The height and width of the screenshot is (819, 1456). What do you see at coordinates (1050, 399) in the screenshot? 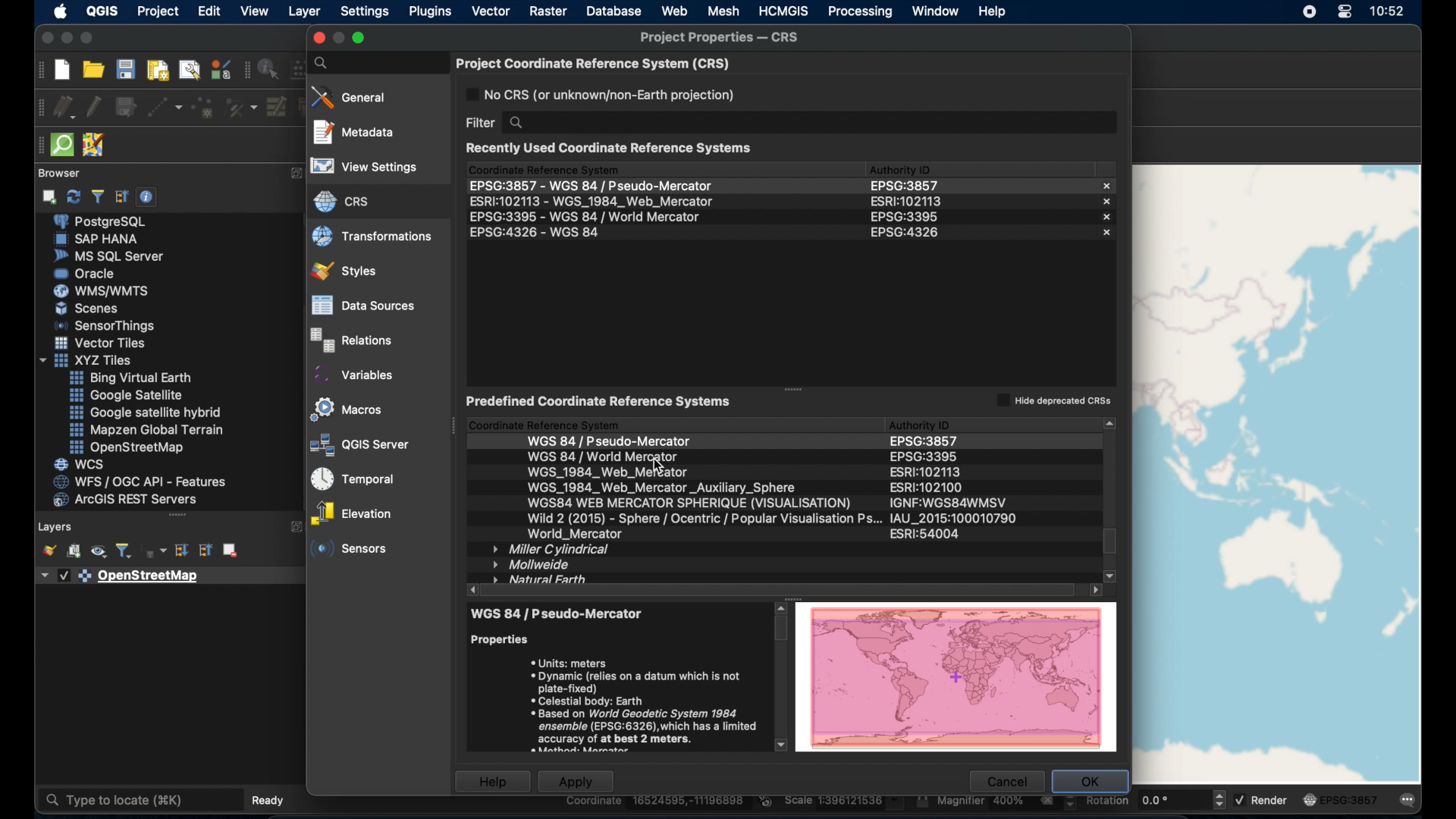
I see `hide depreciated csrs checkbox` at bounding box center [1050, 399].